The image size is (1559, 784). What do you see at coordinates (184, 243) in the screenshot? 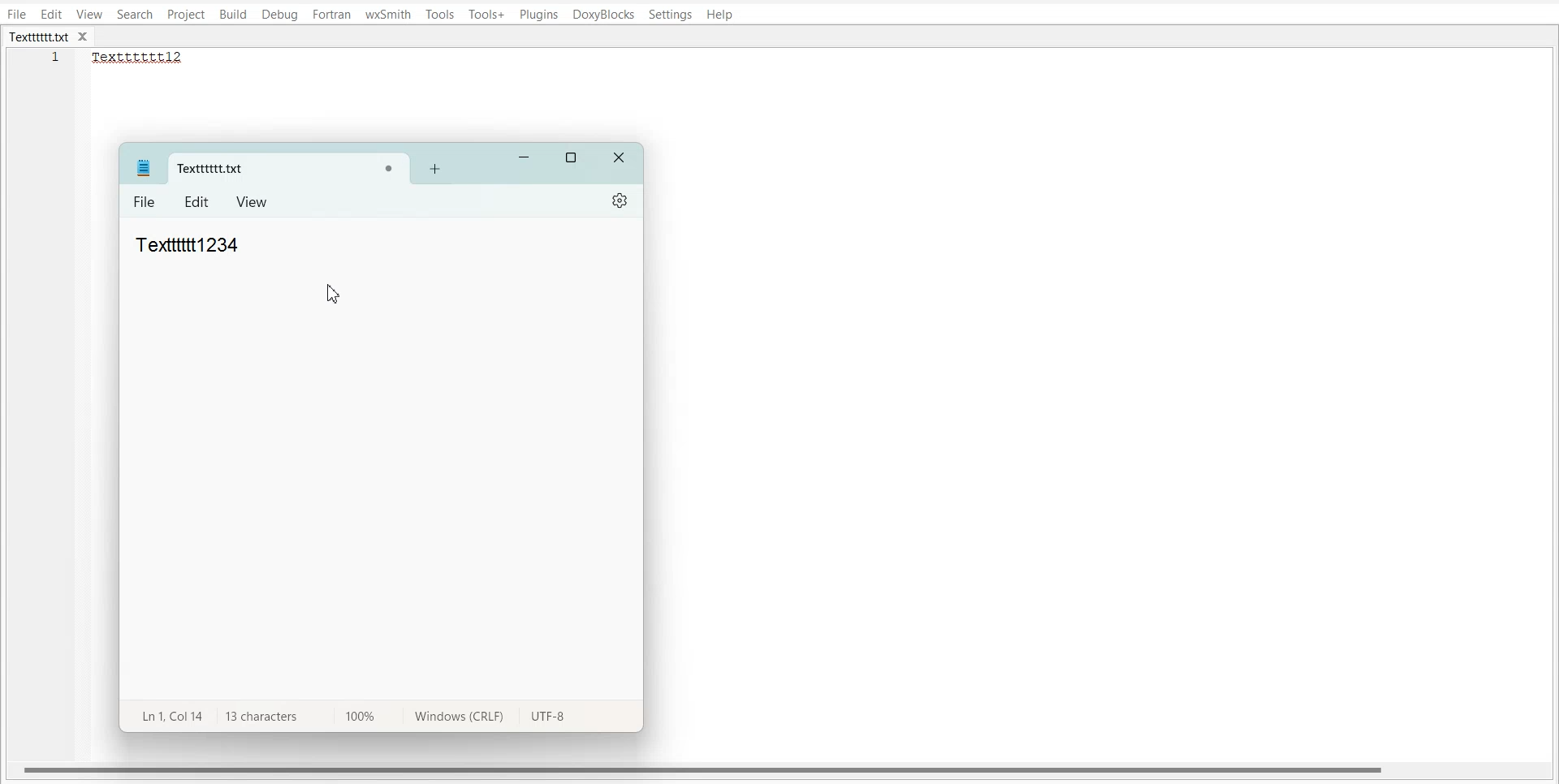
I see `Text` at bounding box center [184, 243].